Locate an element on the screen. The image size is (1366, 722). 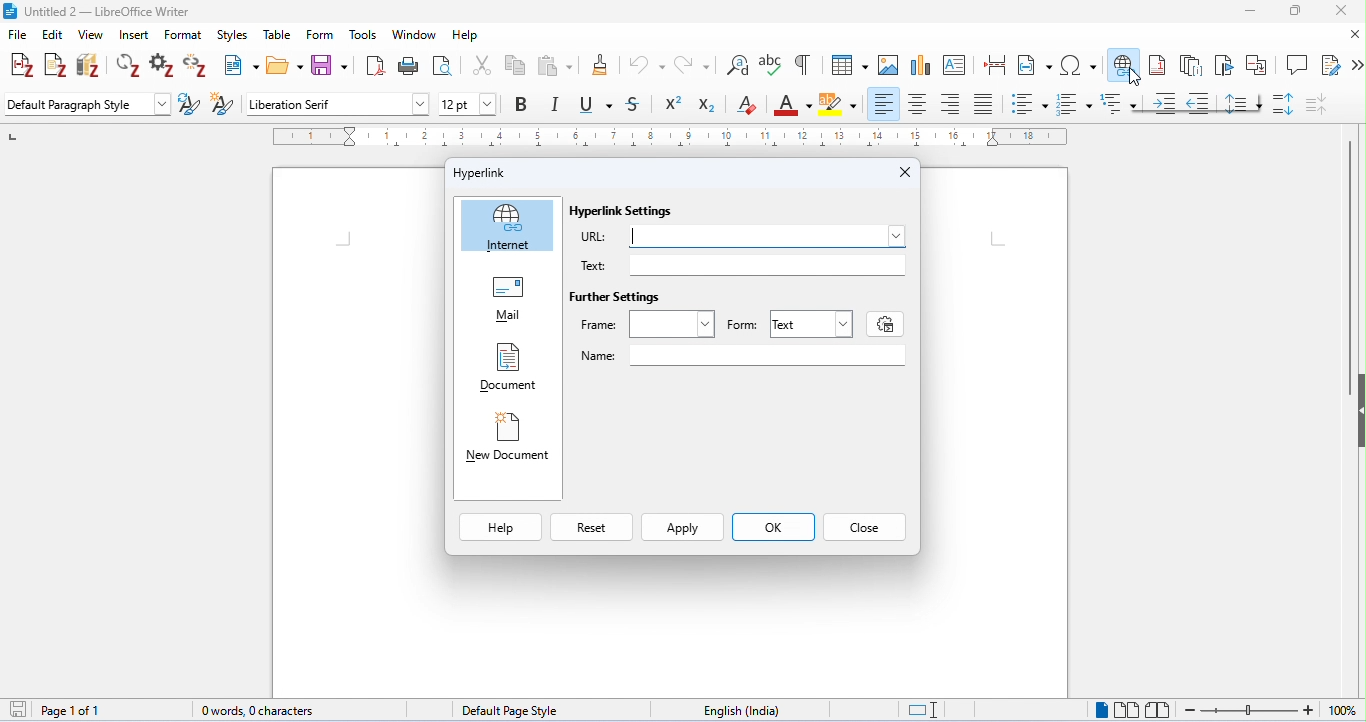
toggle formatting marks is located at coordinates (803, 64).